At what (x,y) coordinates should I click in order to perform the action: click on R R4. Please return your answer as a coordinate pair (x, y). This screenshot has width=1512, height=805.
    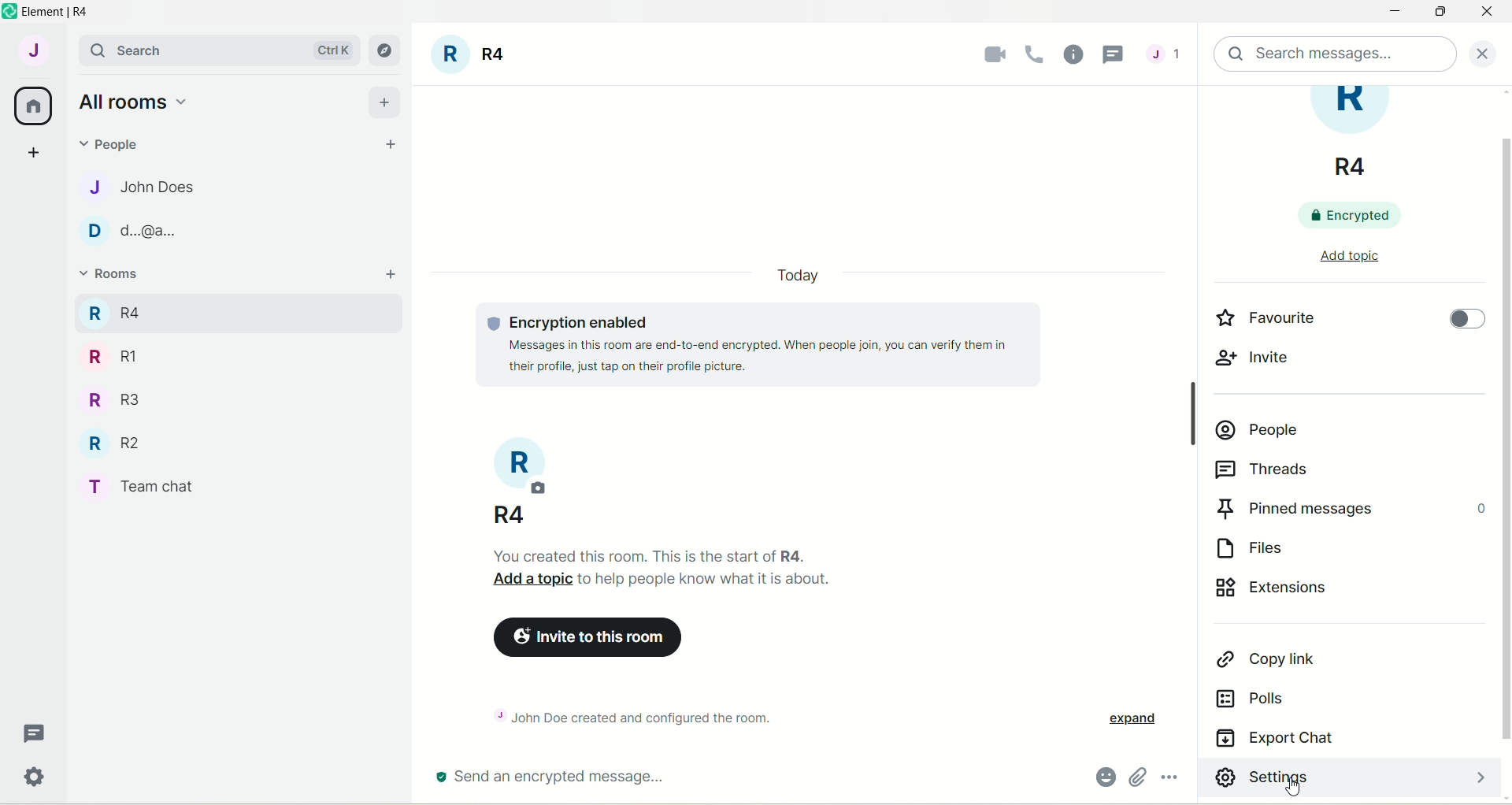
    Looking at the image, I should click on (113, 310).